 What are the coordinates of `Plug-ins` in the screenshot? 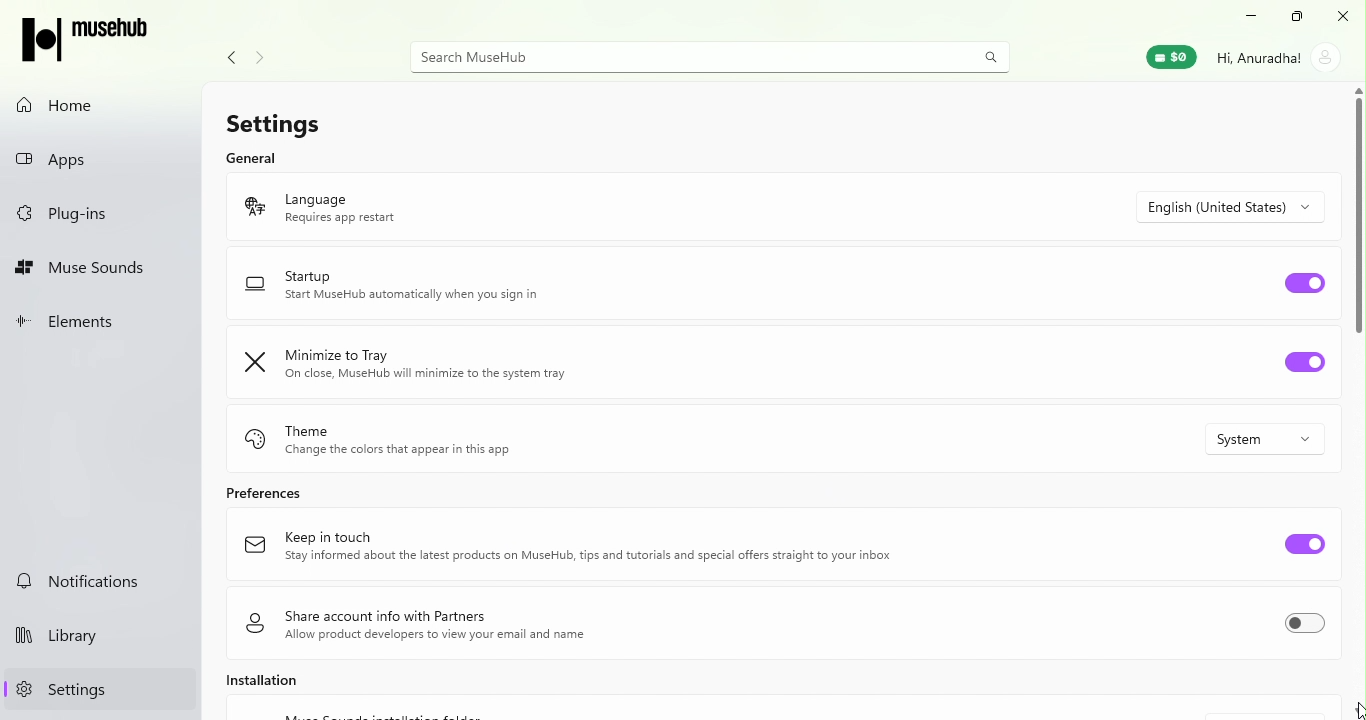 It's located at (95, 214).